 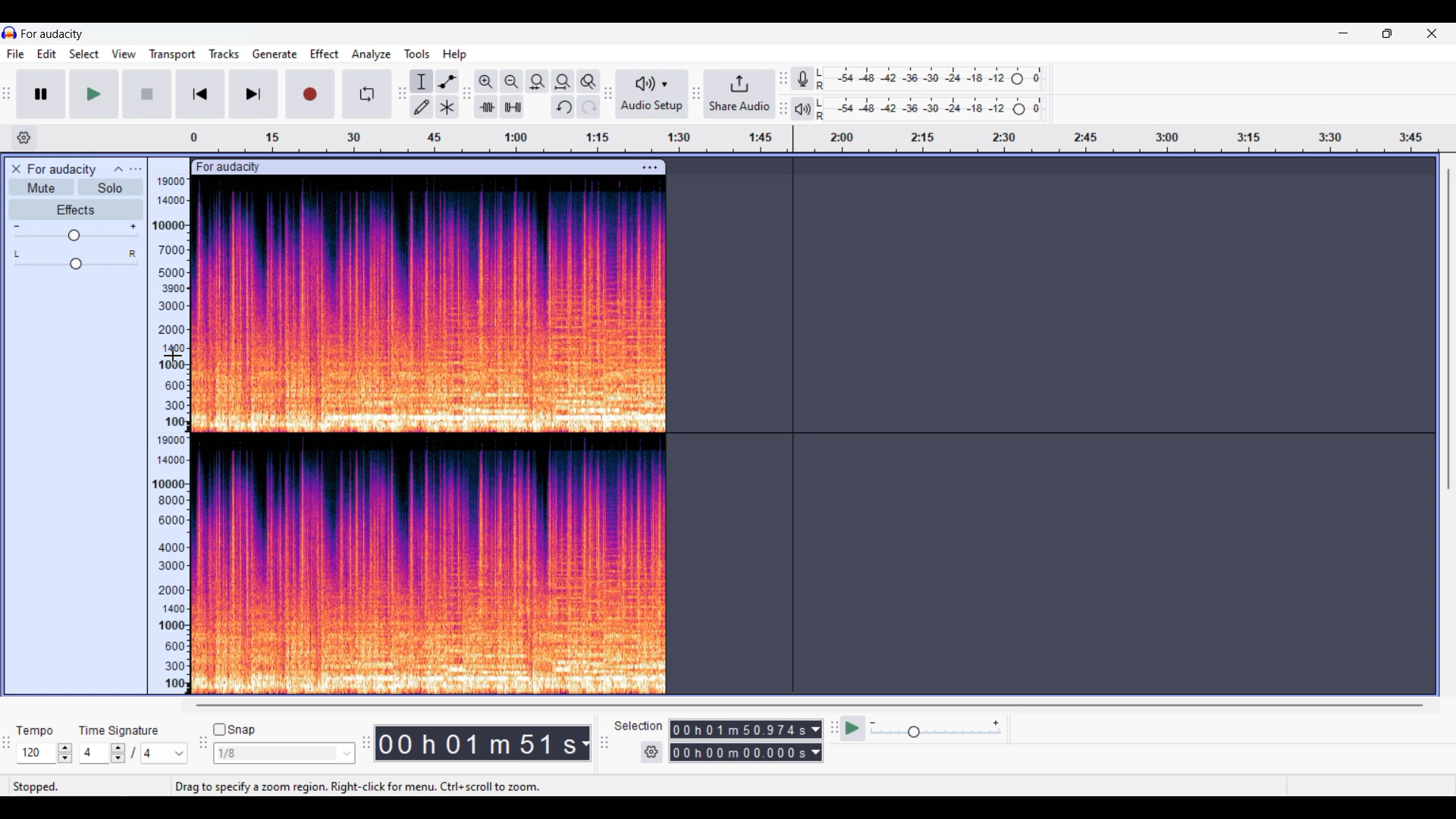 I want to click on Undo, so click(x=563, y=107).